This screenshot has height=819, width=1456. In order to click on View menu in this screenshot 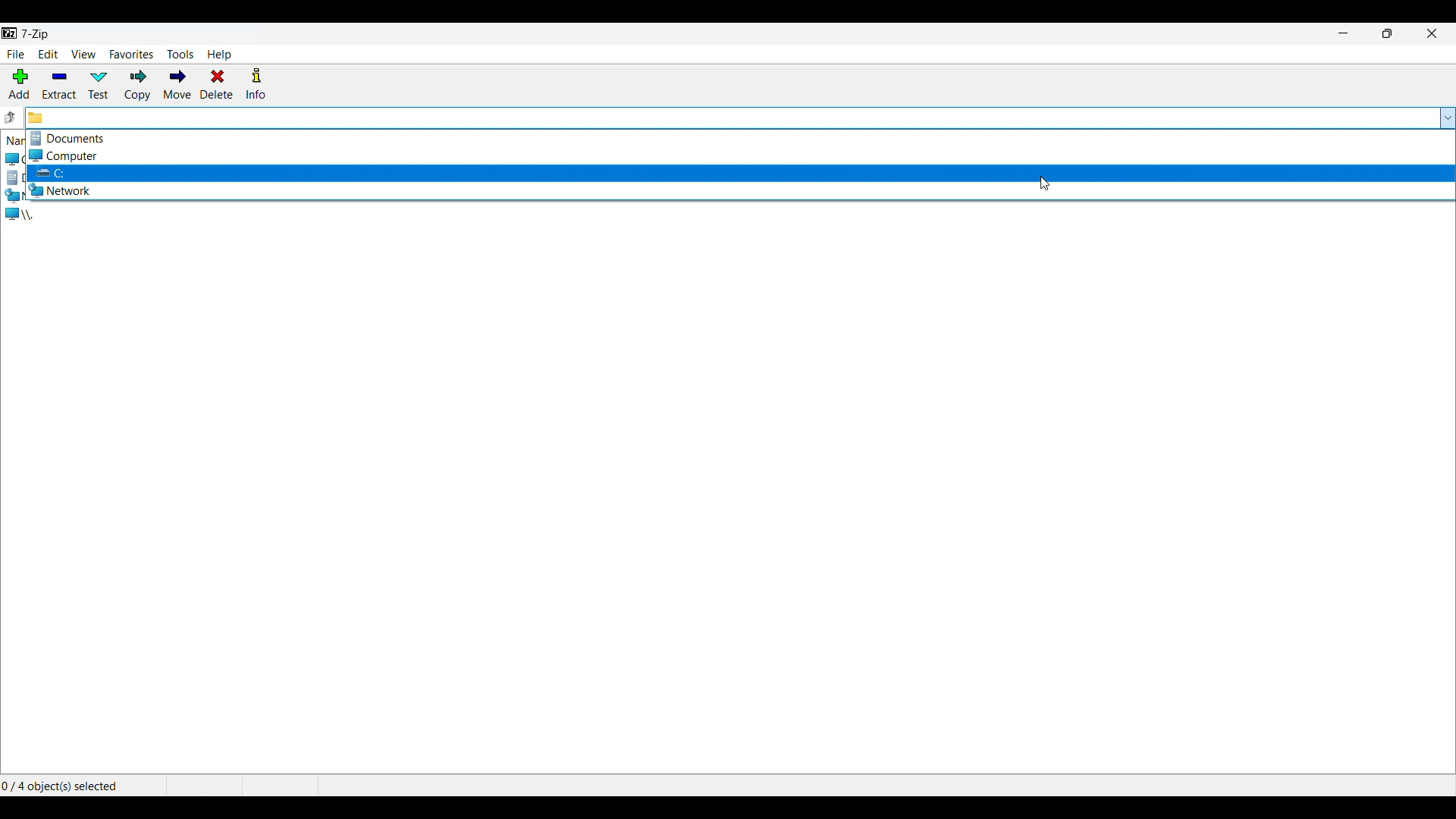, I will do `click(83, 54)`.